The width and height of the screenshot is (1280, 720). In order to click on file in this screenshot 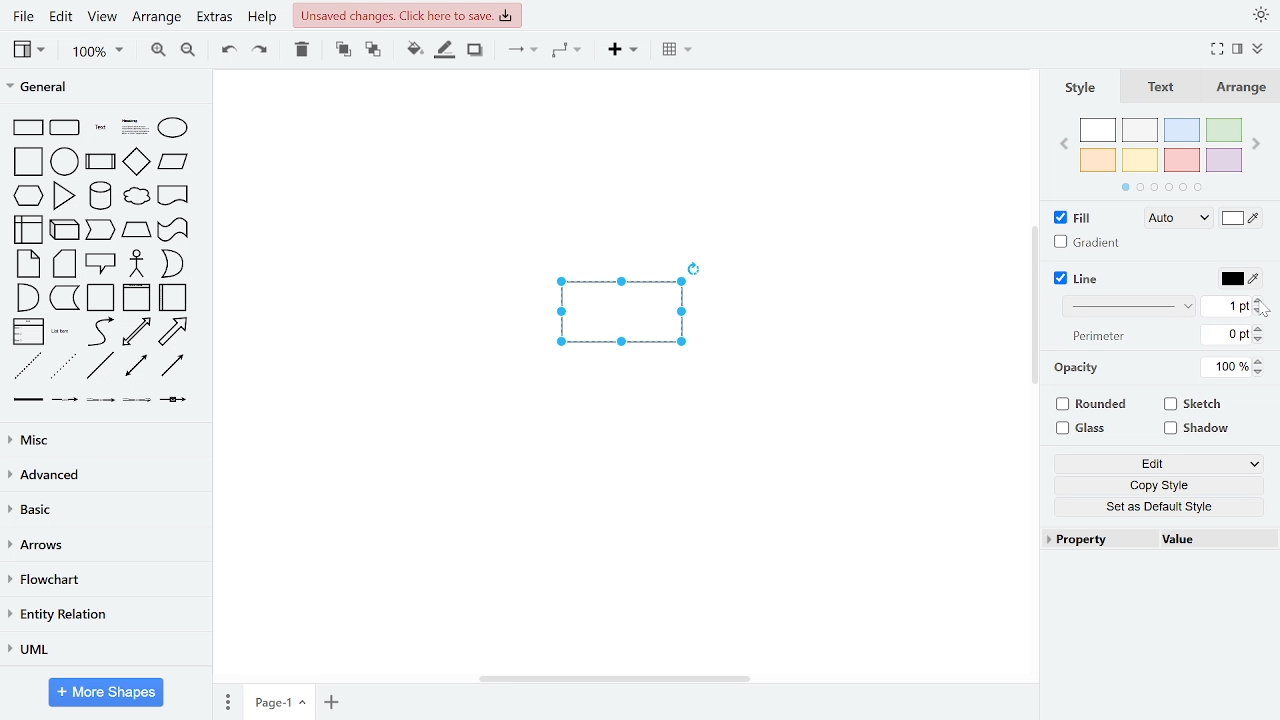, I will do `click(22, 16)`.